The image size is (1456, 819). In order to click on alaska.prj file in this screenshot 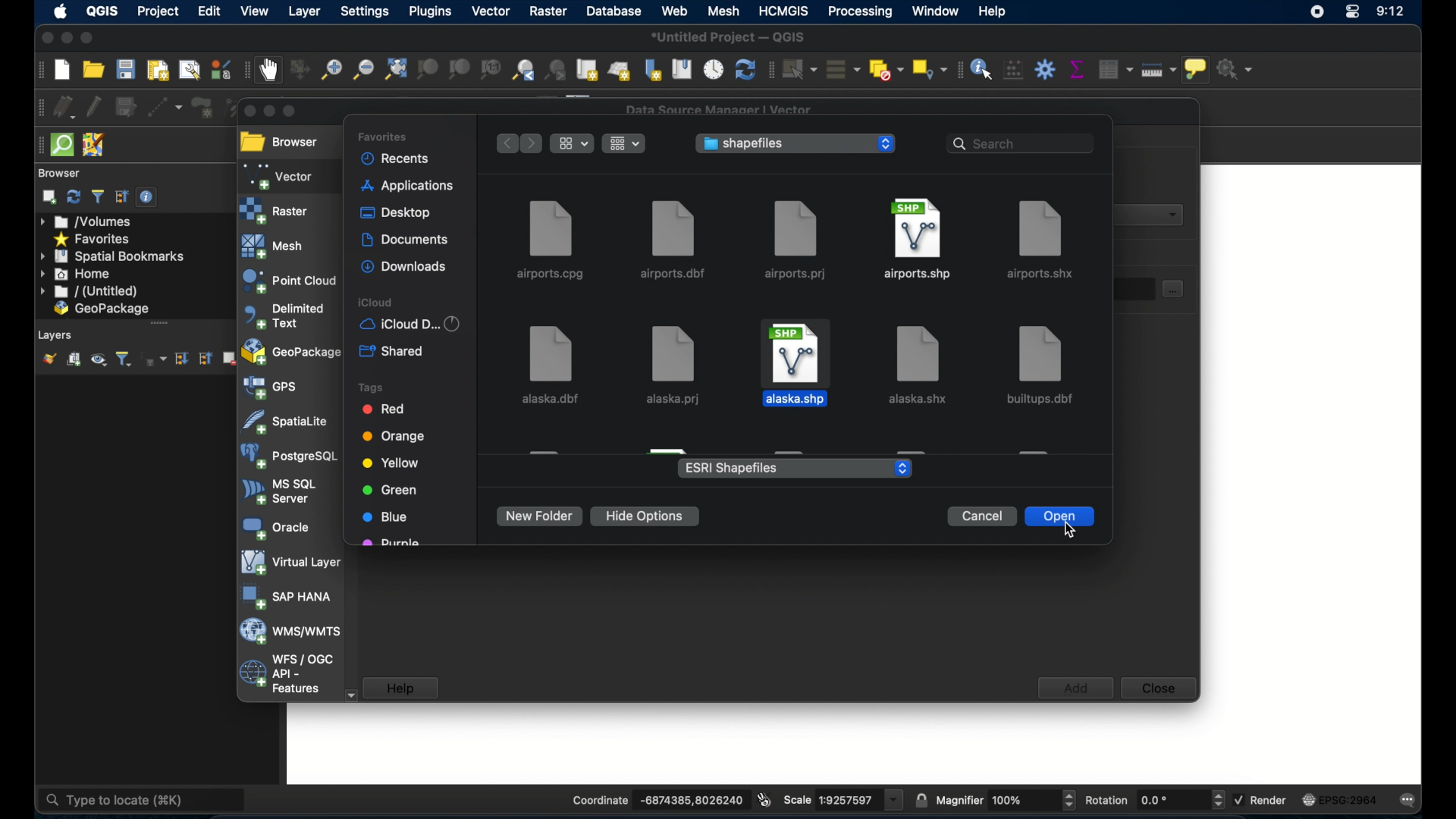, I will do `click(675, 364)`.